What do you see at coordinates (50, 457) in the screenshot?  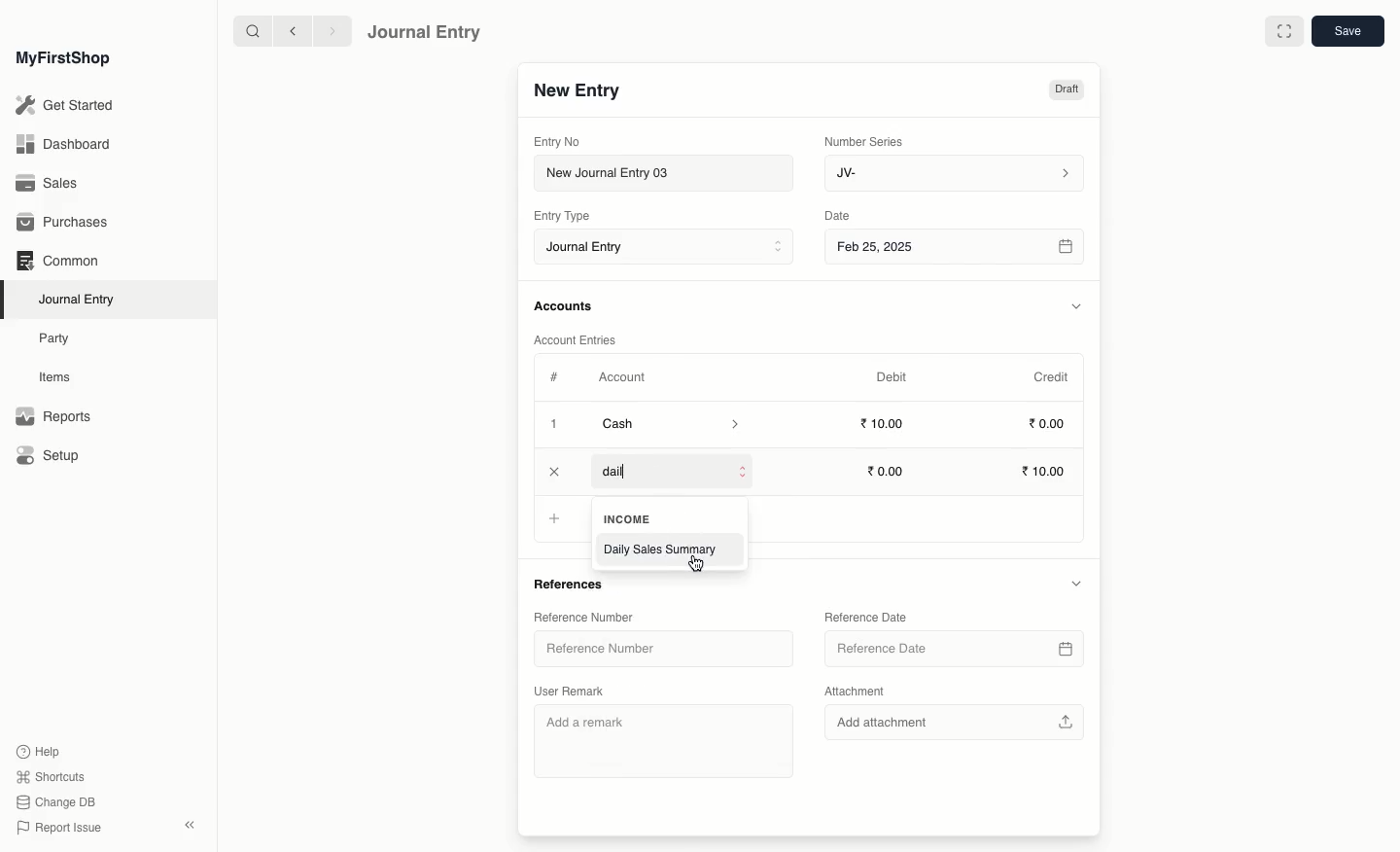 I see `Setup` at bounding box center [50, 457].